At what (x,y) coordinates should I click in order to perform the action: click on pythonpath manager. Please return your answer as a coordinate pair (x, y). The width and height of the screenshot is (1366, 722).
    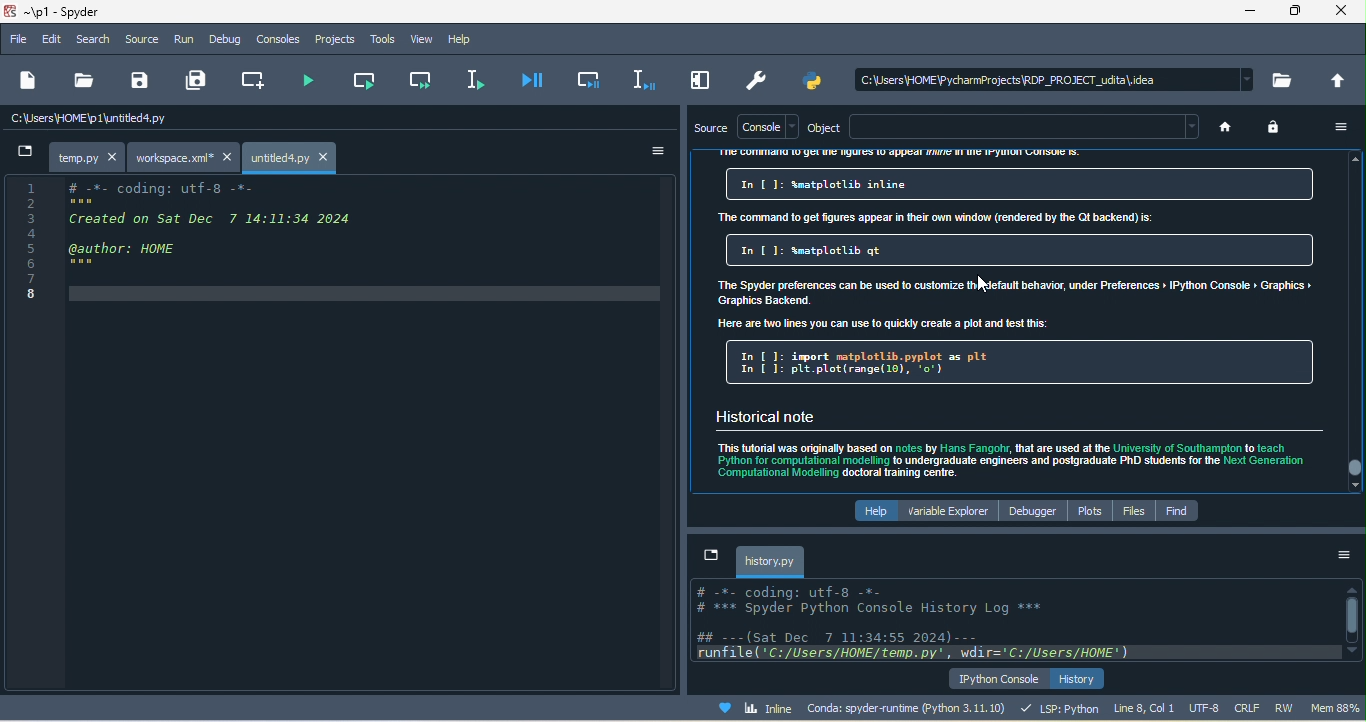
    Looking at the image, I should click on (817, 80).